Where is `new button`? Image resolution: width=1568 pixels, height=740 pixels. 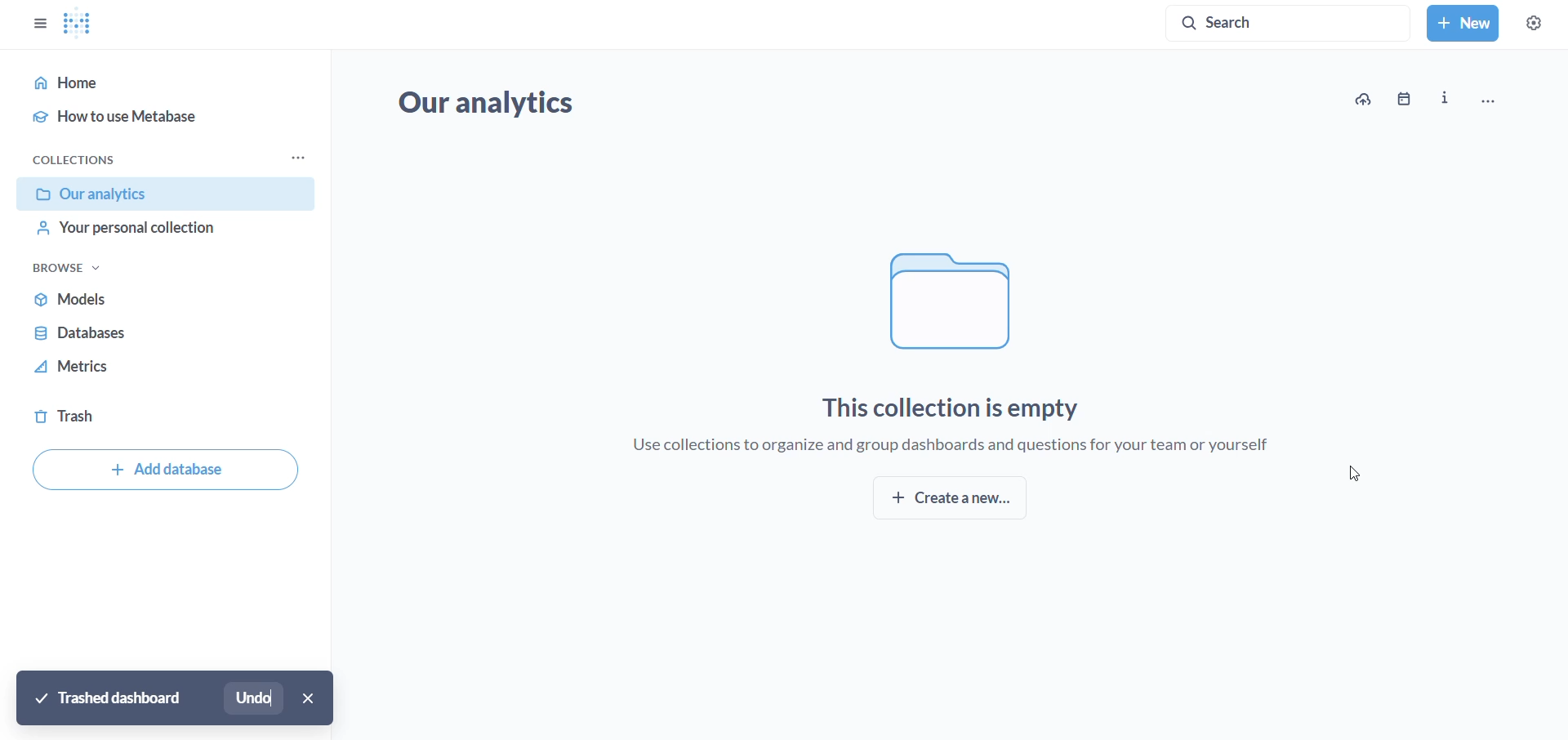 new button is located at coordinates (1462, 23).